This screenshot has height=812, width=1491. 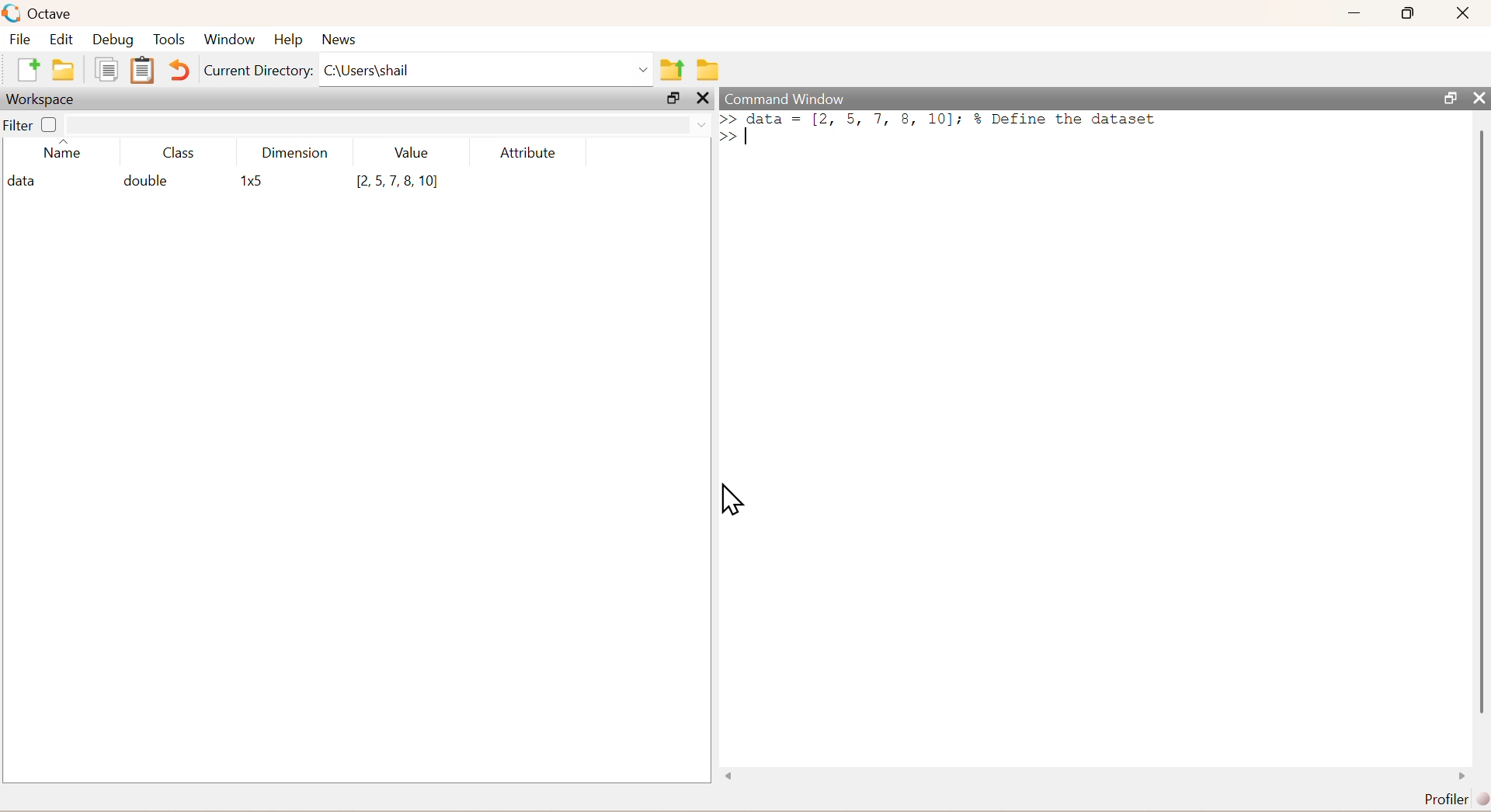 What do you see at coordinates (296, 152) in the screenshot?
I see `dimensions` at bounding box center [296, 152].